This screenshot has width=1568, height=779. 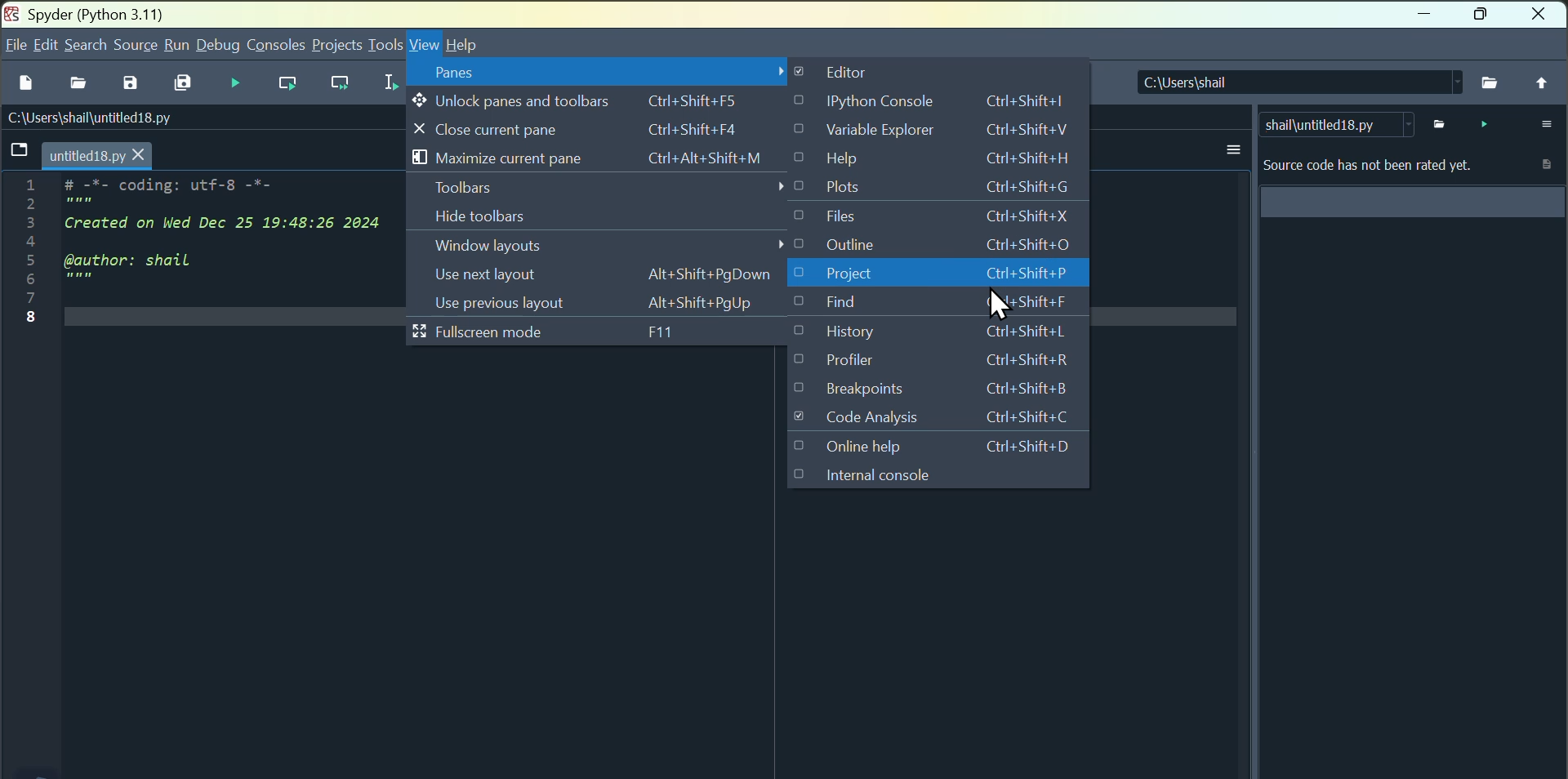 What do you see at coordinates (186, 84) in the screenshot?
I see `Save all` at bounding box center [186, 84].